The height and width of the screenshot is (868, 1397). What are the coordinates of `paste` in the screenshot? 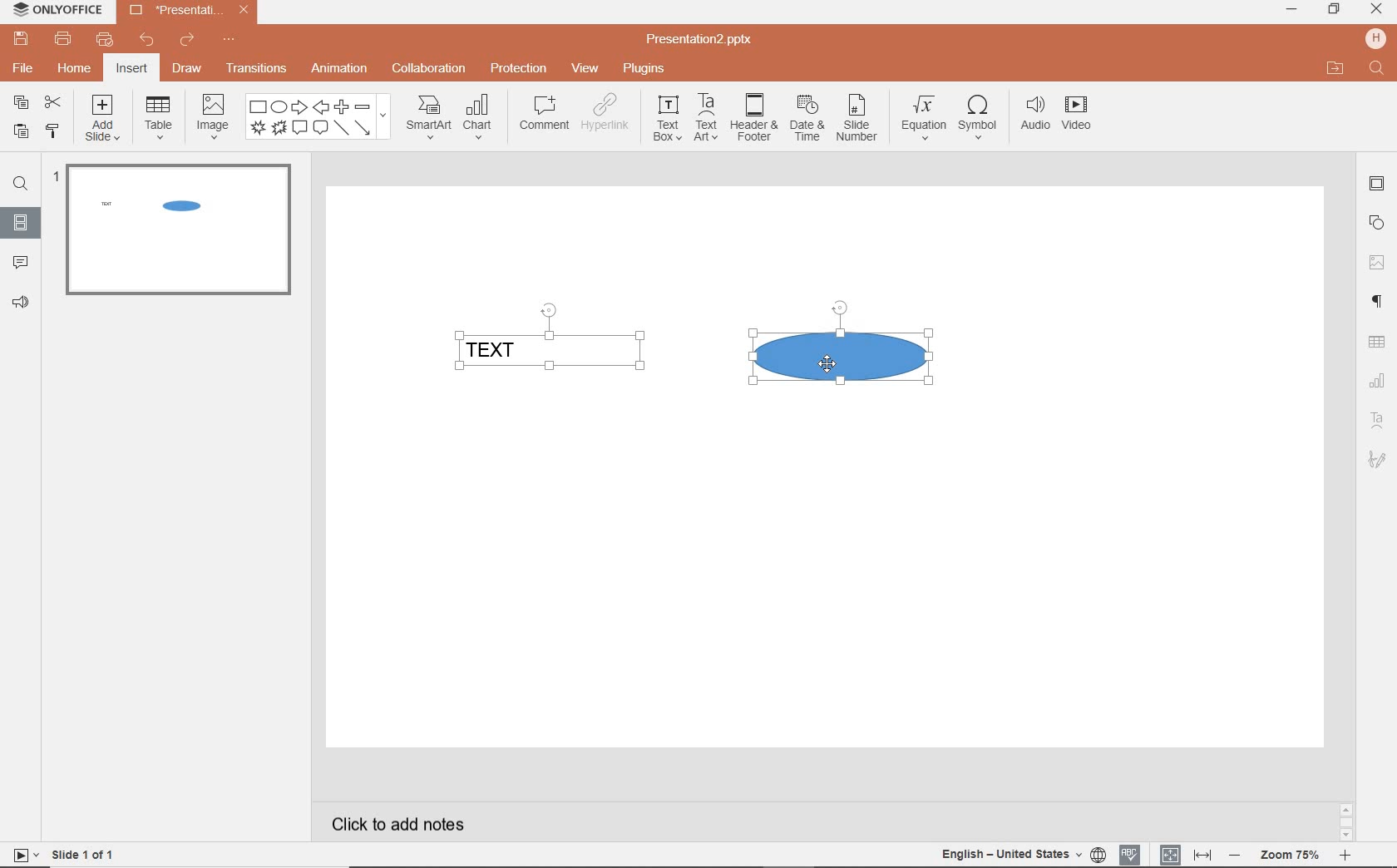 It's located at (21, 133).